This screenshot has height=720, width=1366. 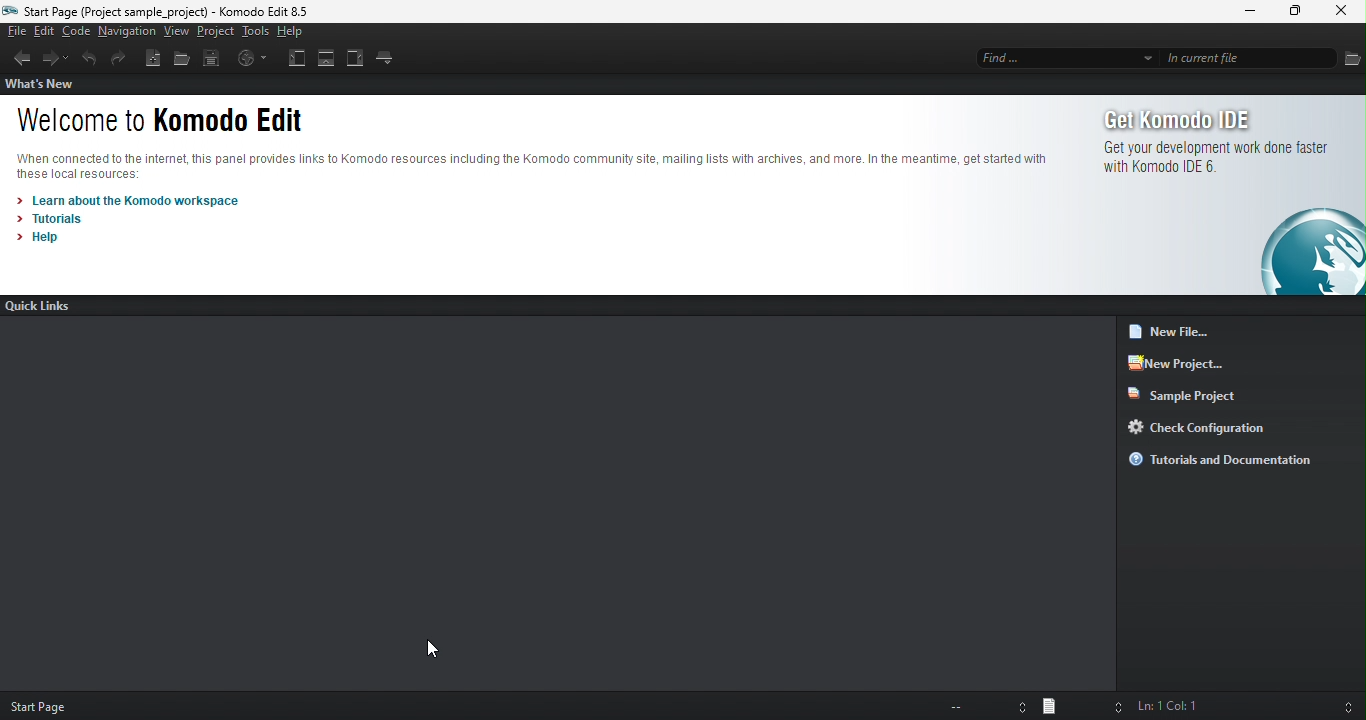 What do you see at coordinates (1220, 158) in the screenshot?
I see `get your development work done faster with komodo ide 6` at bounding box center [1220, 158].